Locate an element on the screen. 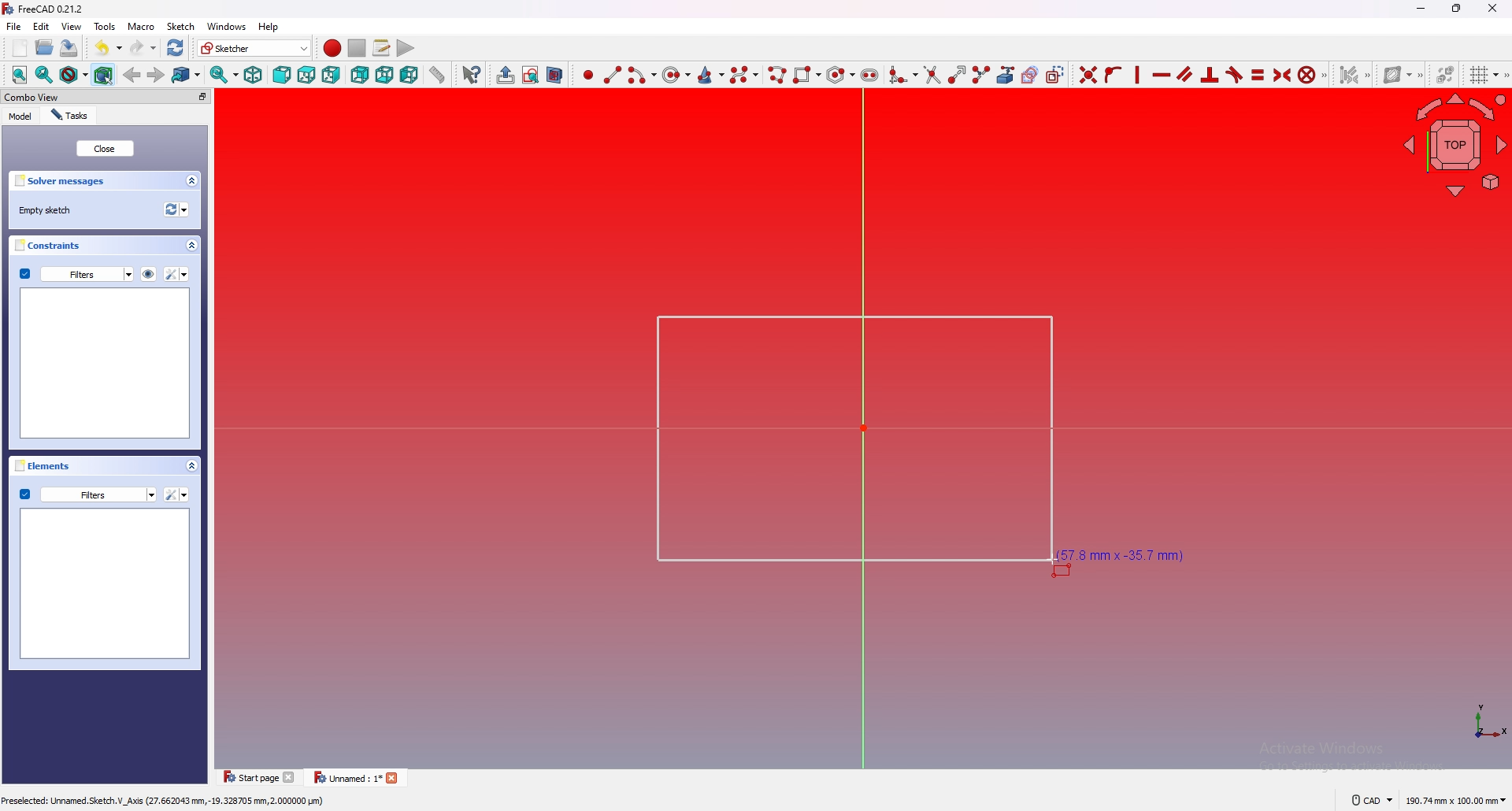  constraint tangent is located at coordinates (1234, 75).